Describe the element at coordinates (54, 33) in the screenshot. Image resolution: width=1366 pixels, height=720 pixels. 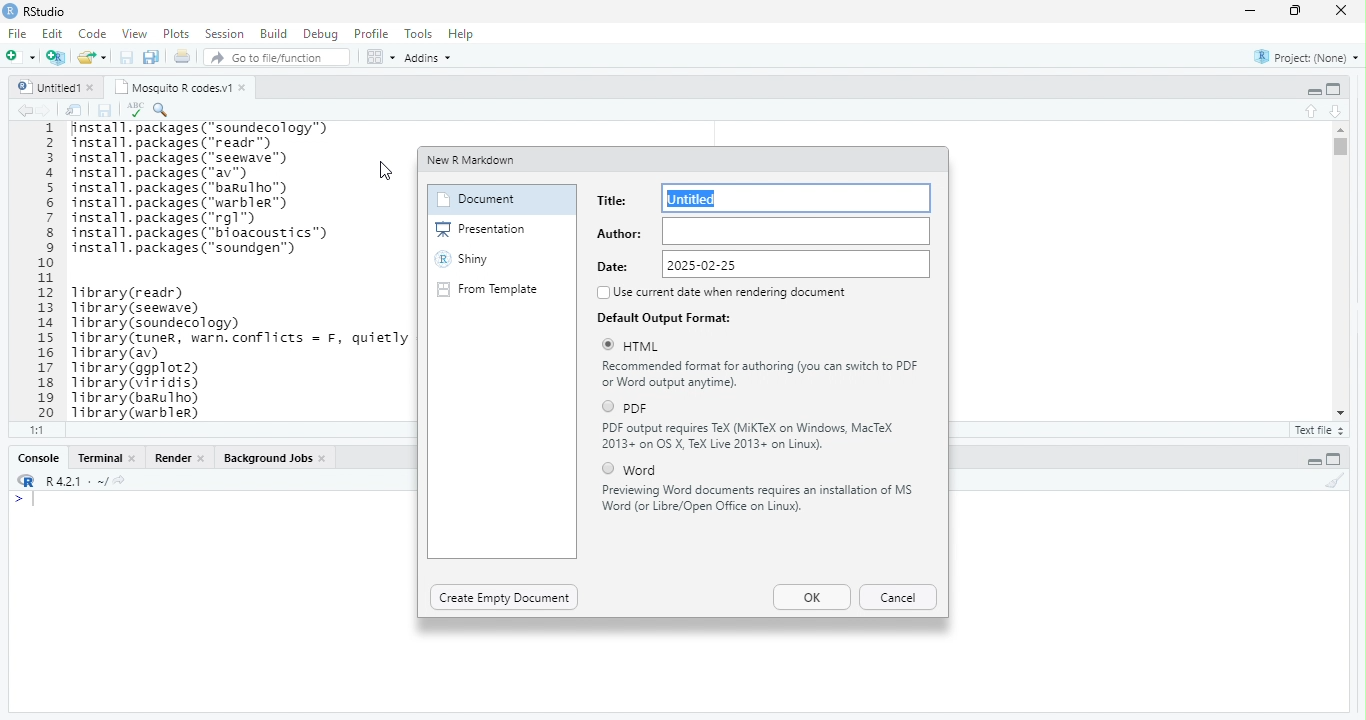
I see `Edit` at that location.